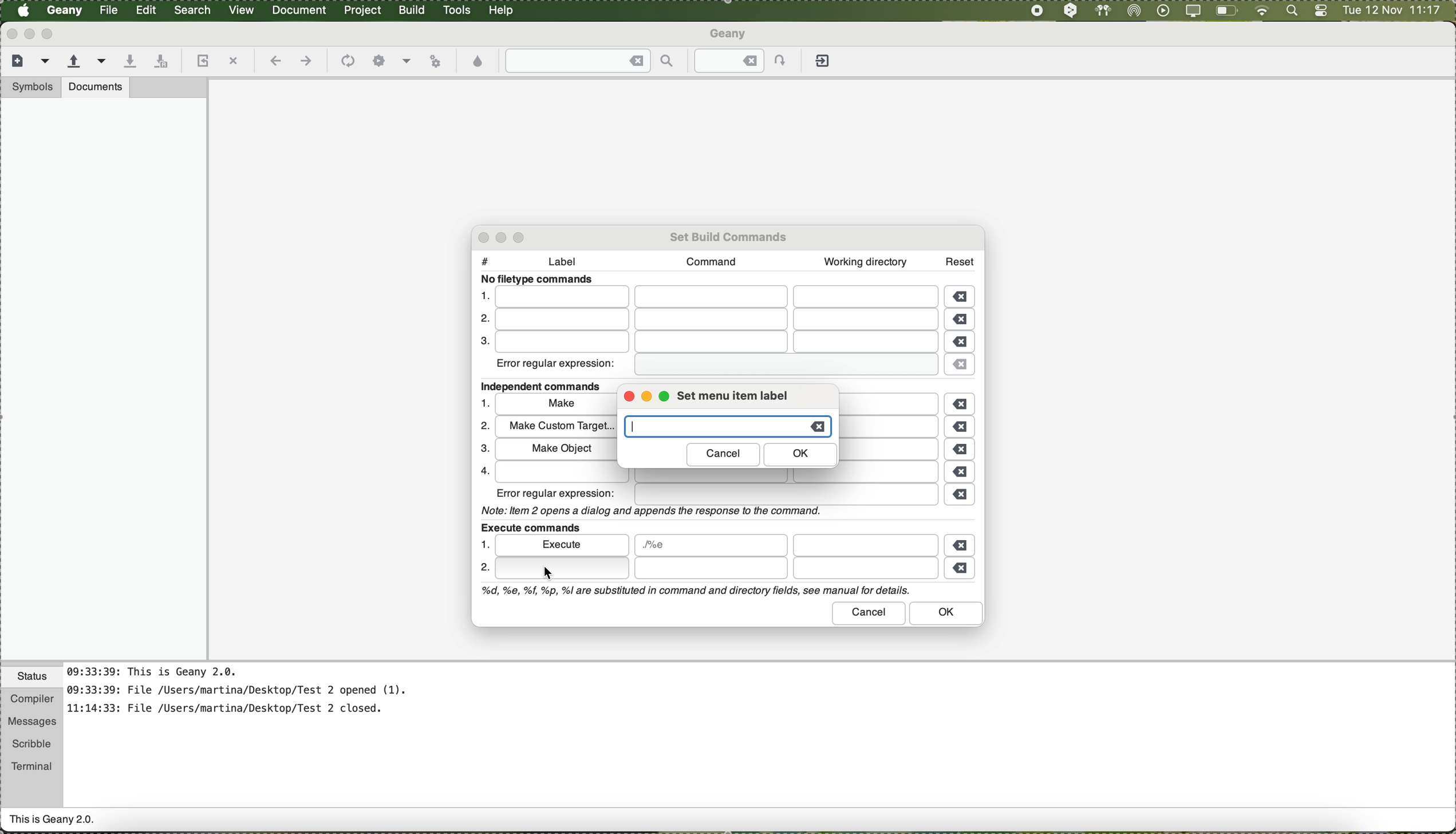  I want to click on find the entered text in the current file, so click(590, 61).